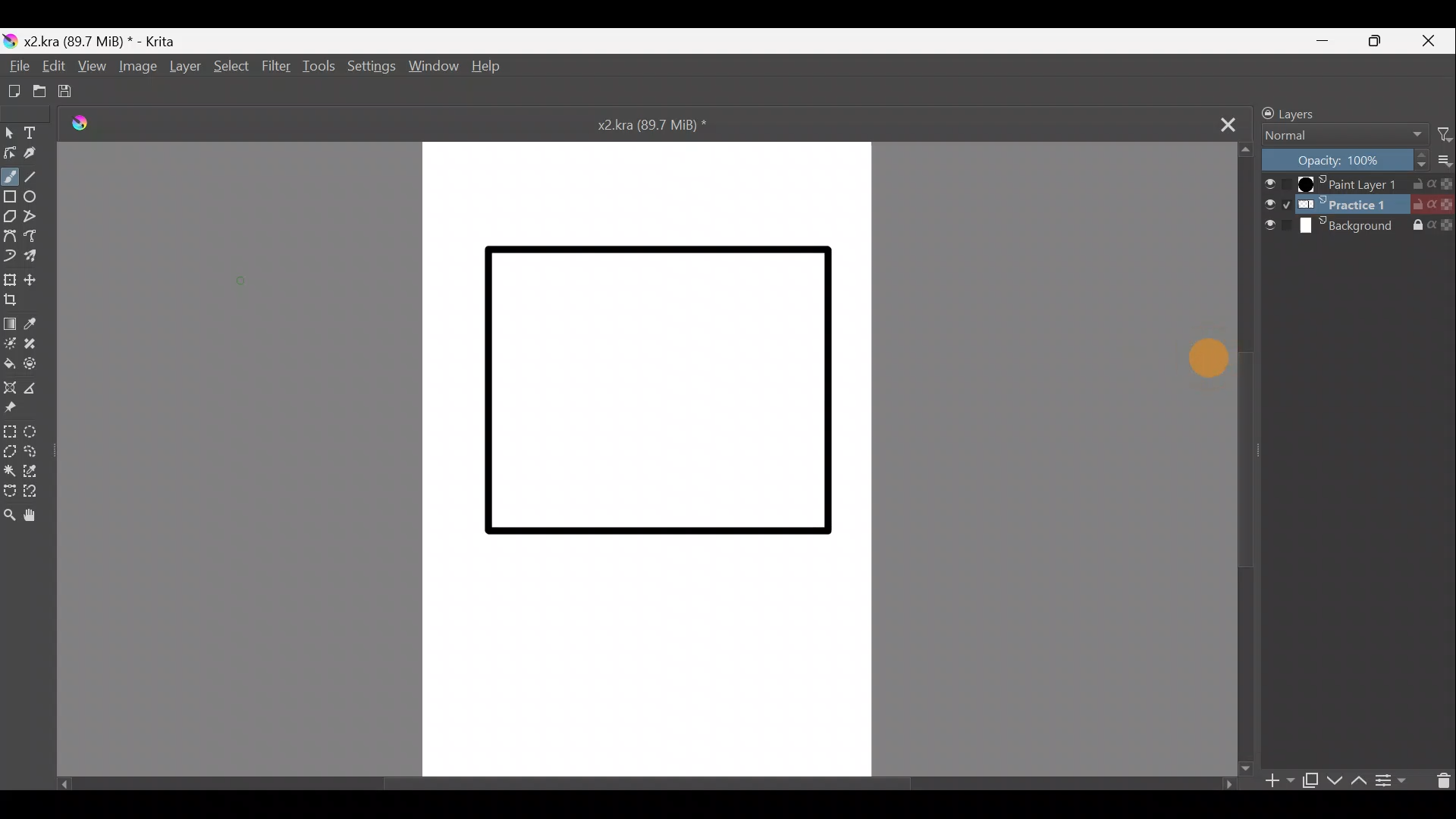 The width and height of the screenshot is (1456, 819). I want to click on Move layer/mask up, so click(1360, 780).